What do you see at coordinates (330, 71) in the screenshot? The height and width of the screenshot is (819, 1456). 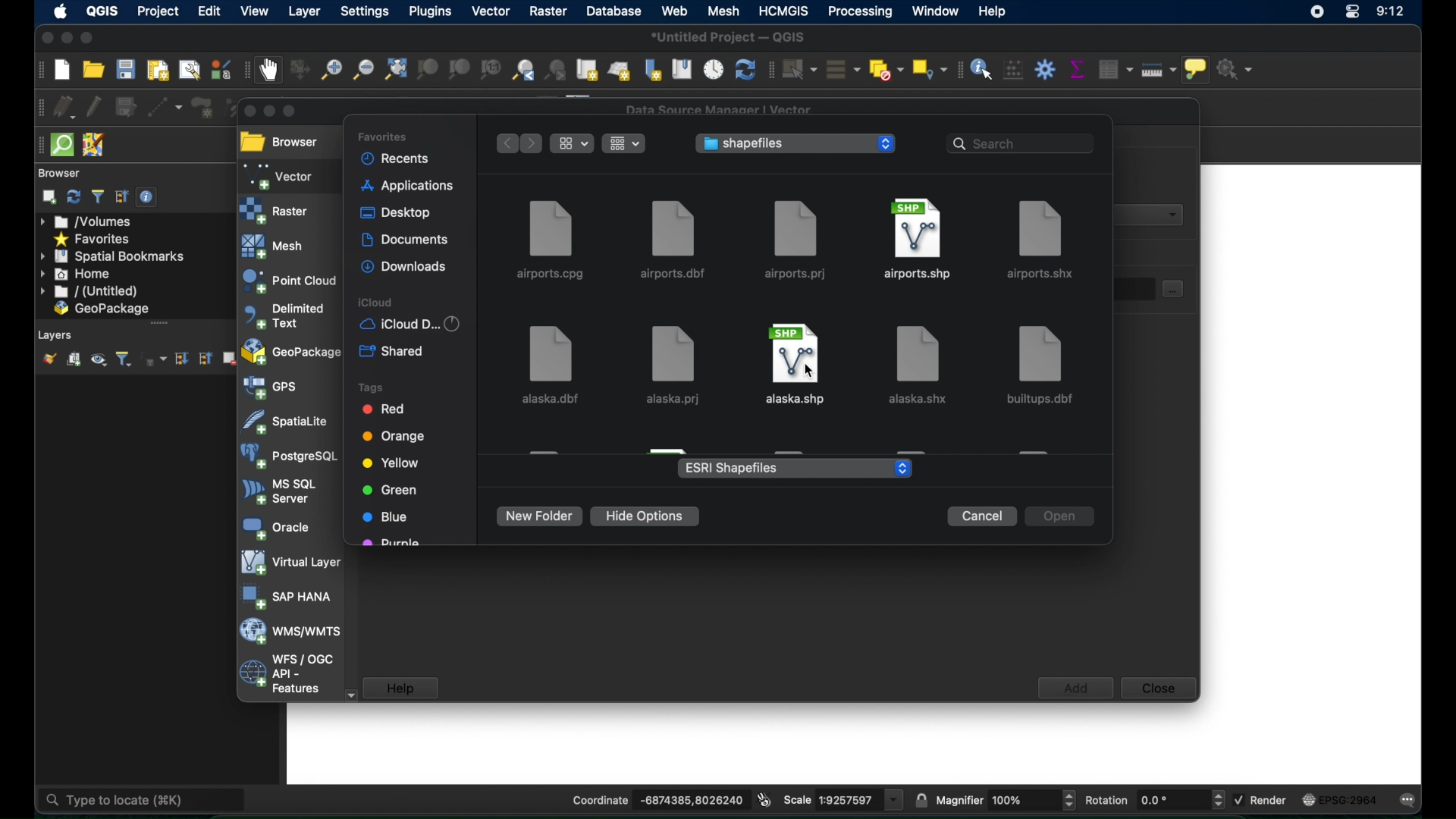 I see `zoom in` at bounding box center [330, 71].